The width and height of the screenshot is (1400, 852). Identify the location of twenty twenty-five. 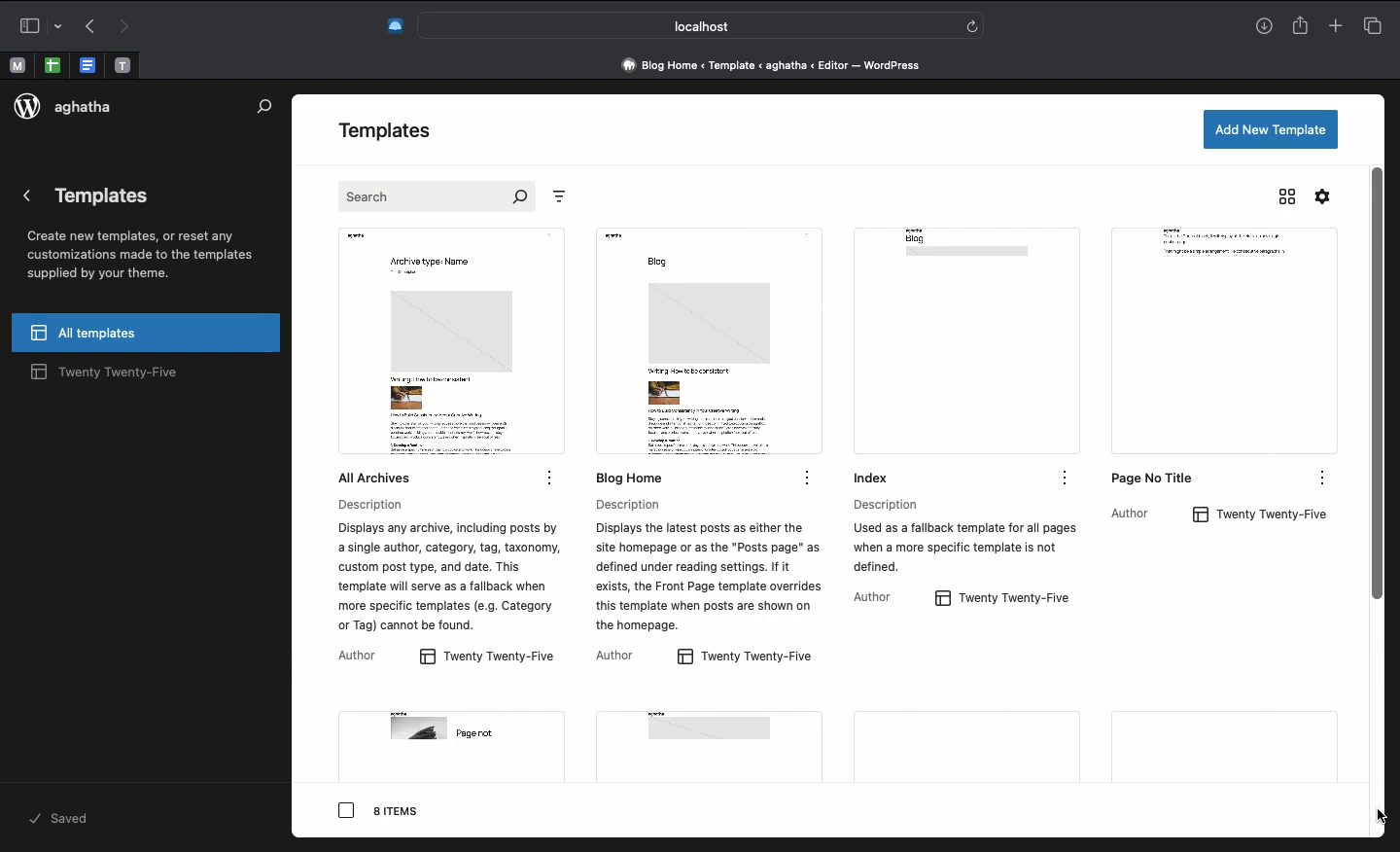
(1260, 512).